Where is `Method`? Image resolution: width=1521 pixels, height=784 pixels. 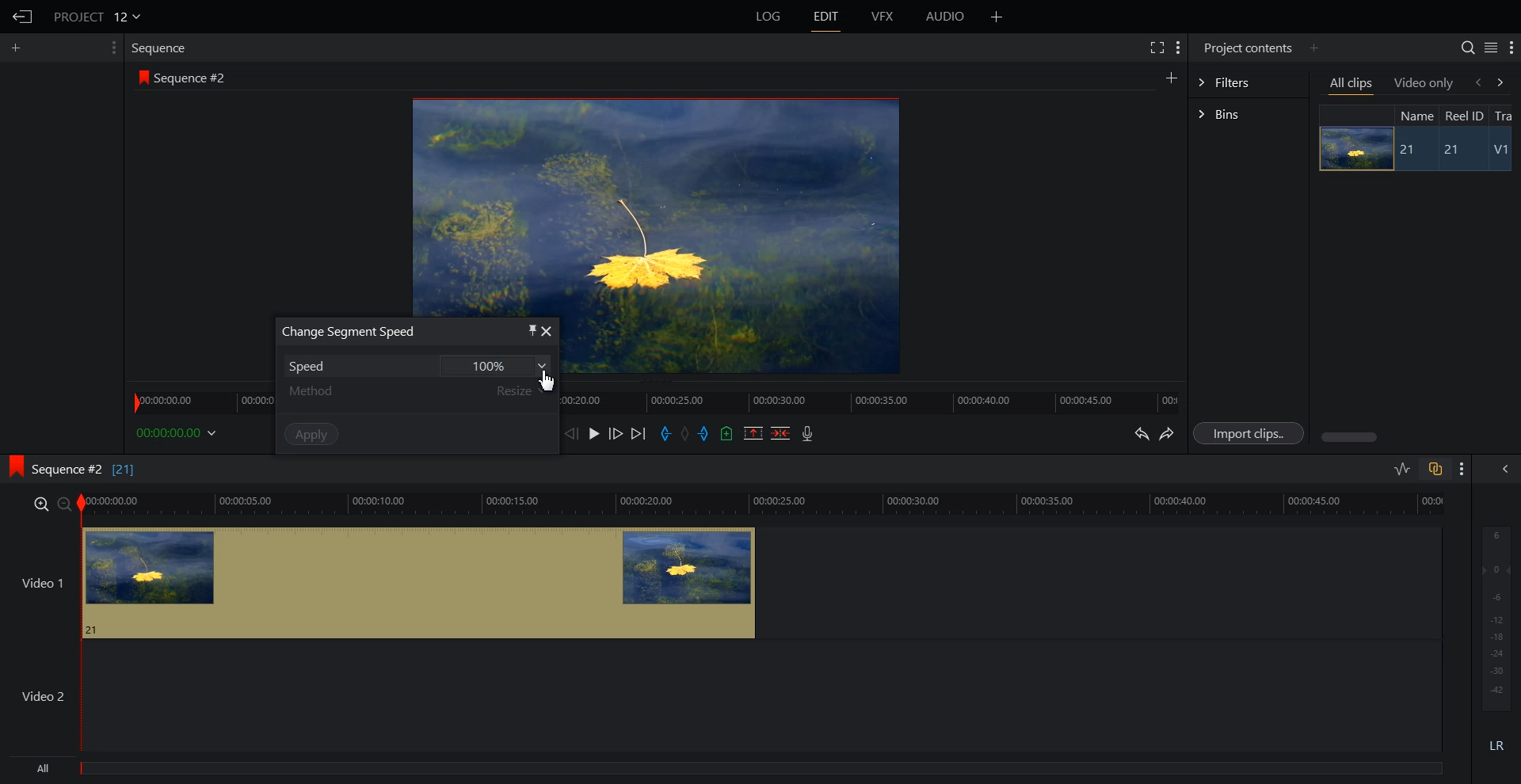
Method is located at coordinates (317, 392).